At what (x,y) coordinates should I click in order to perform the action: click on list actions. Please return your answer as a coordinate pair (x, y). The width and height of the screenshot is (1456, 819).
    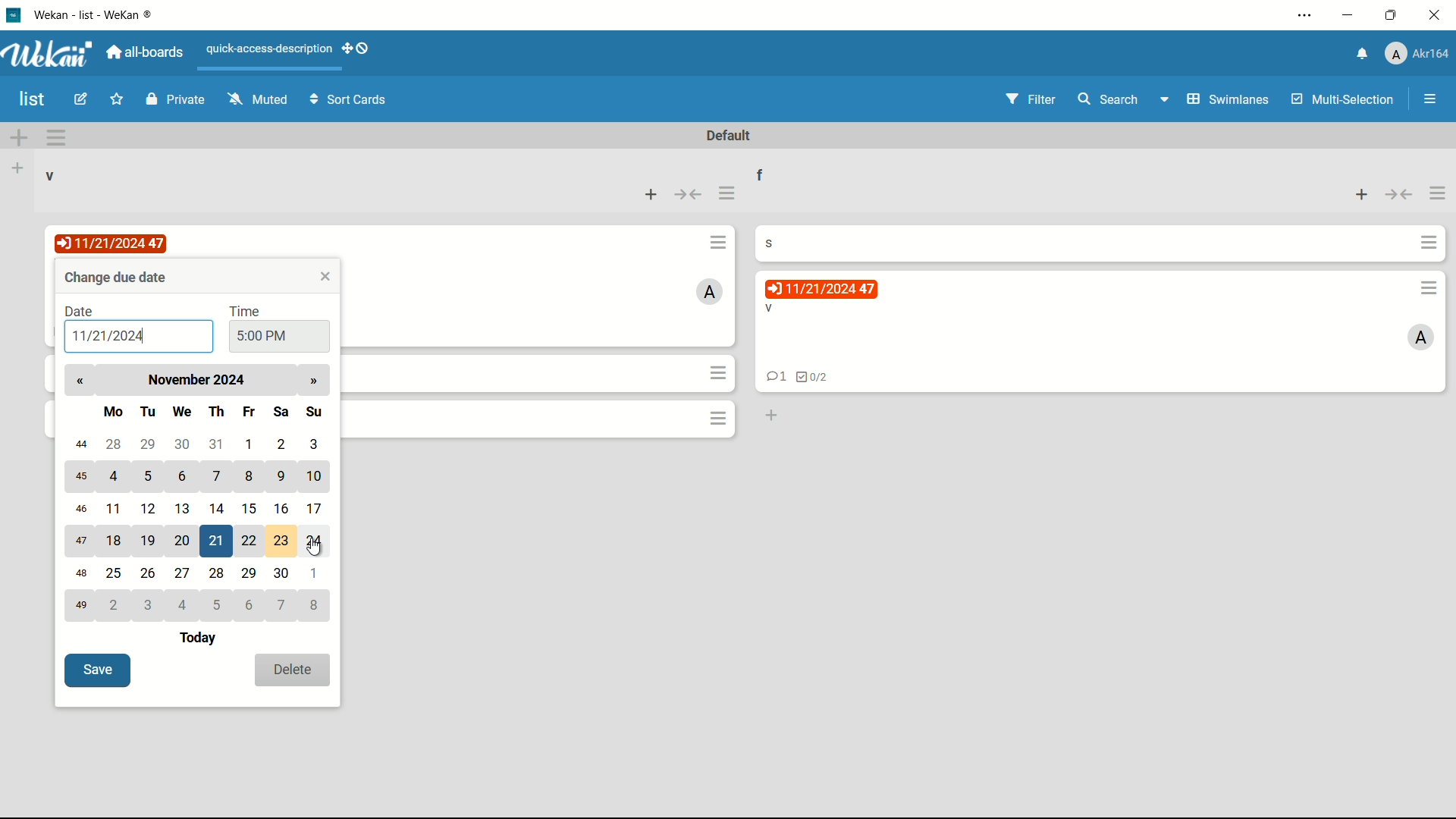
    Looking at the image, I should click on (727, 194).